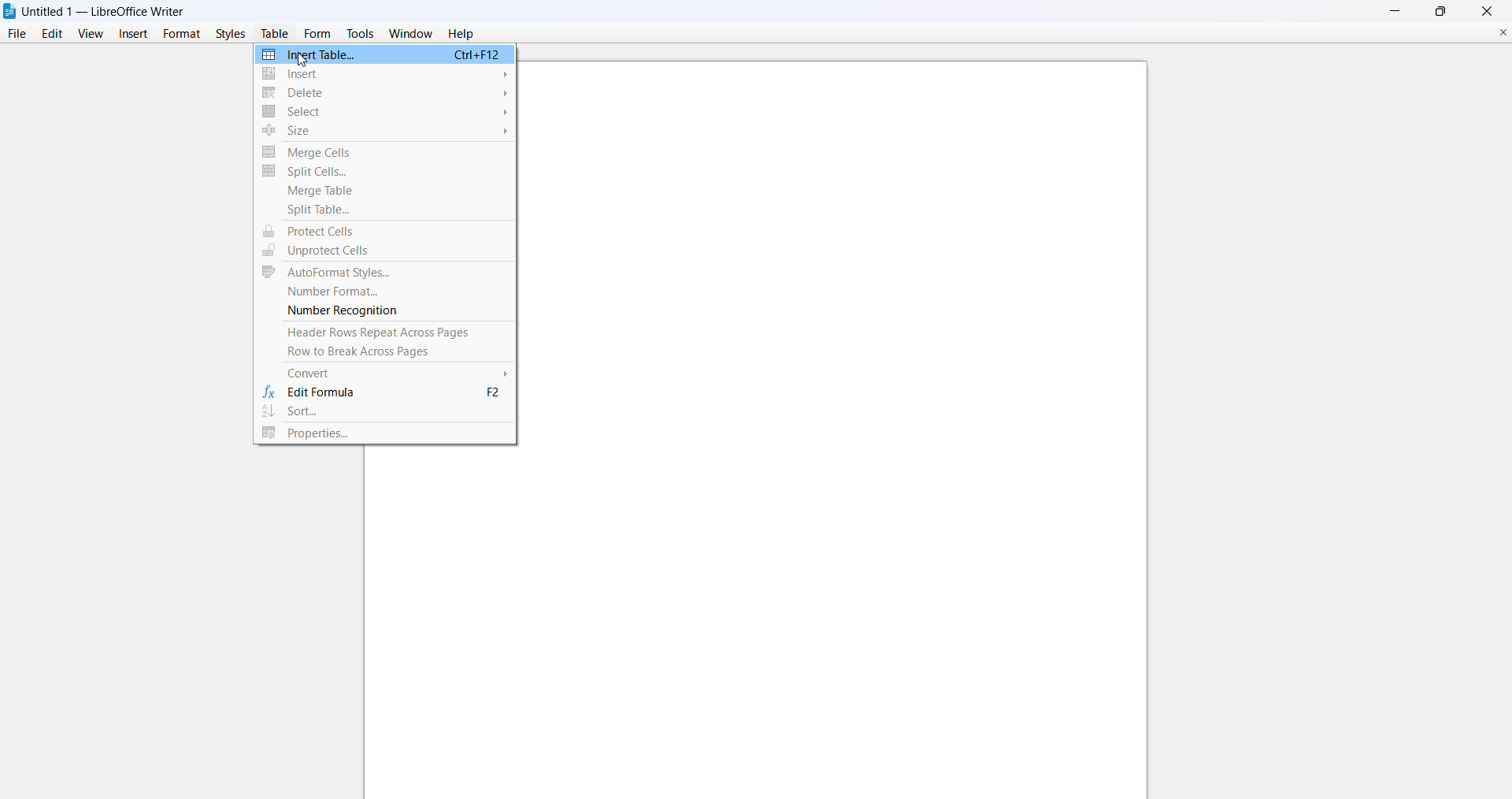 This screenshot has width=1512, height=799. I want to click on merge cells, so click(386, 152).